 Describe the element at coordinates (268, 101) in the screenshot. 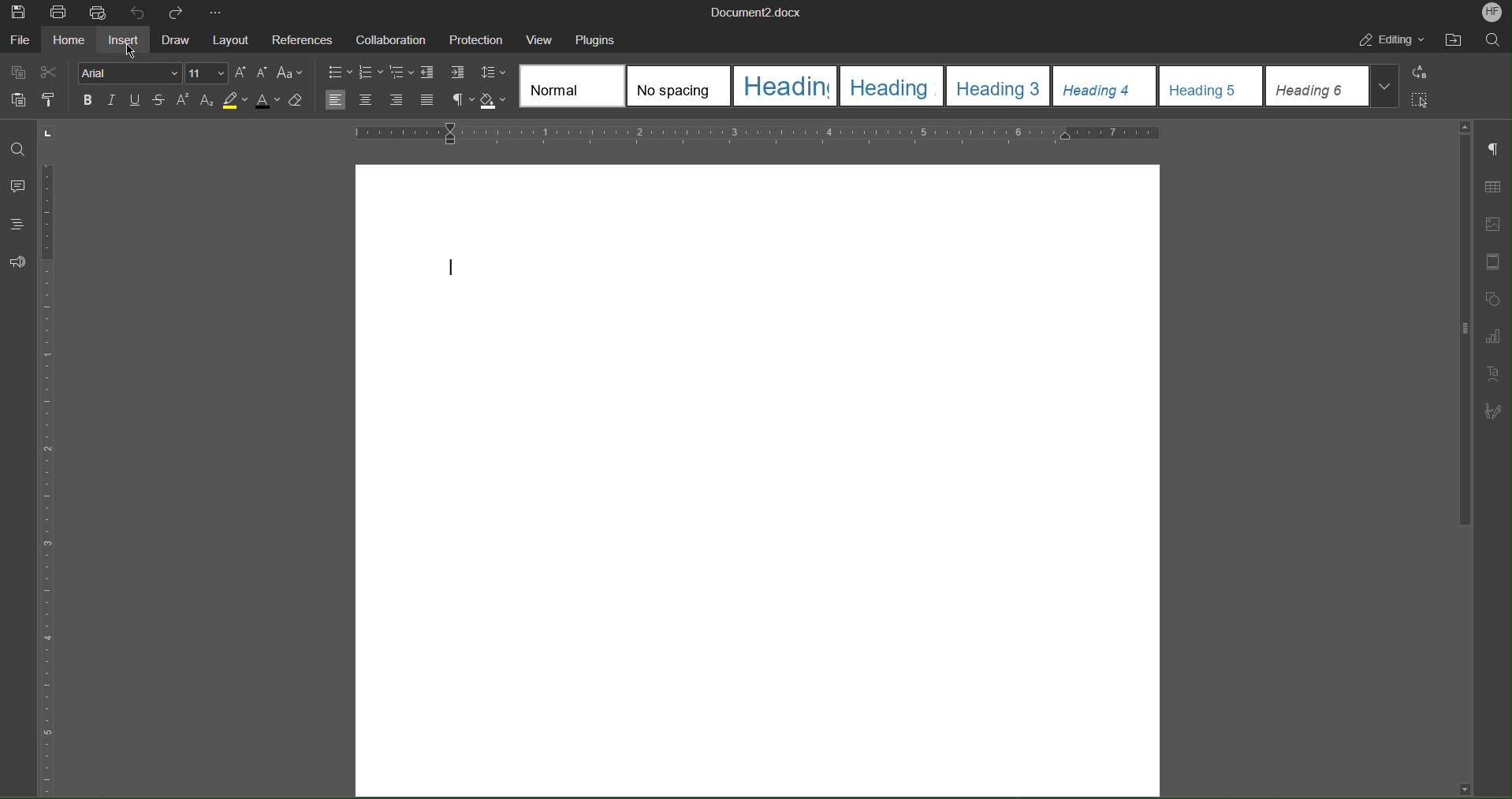

I see `Text Color` at that location.